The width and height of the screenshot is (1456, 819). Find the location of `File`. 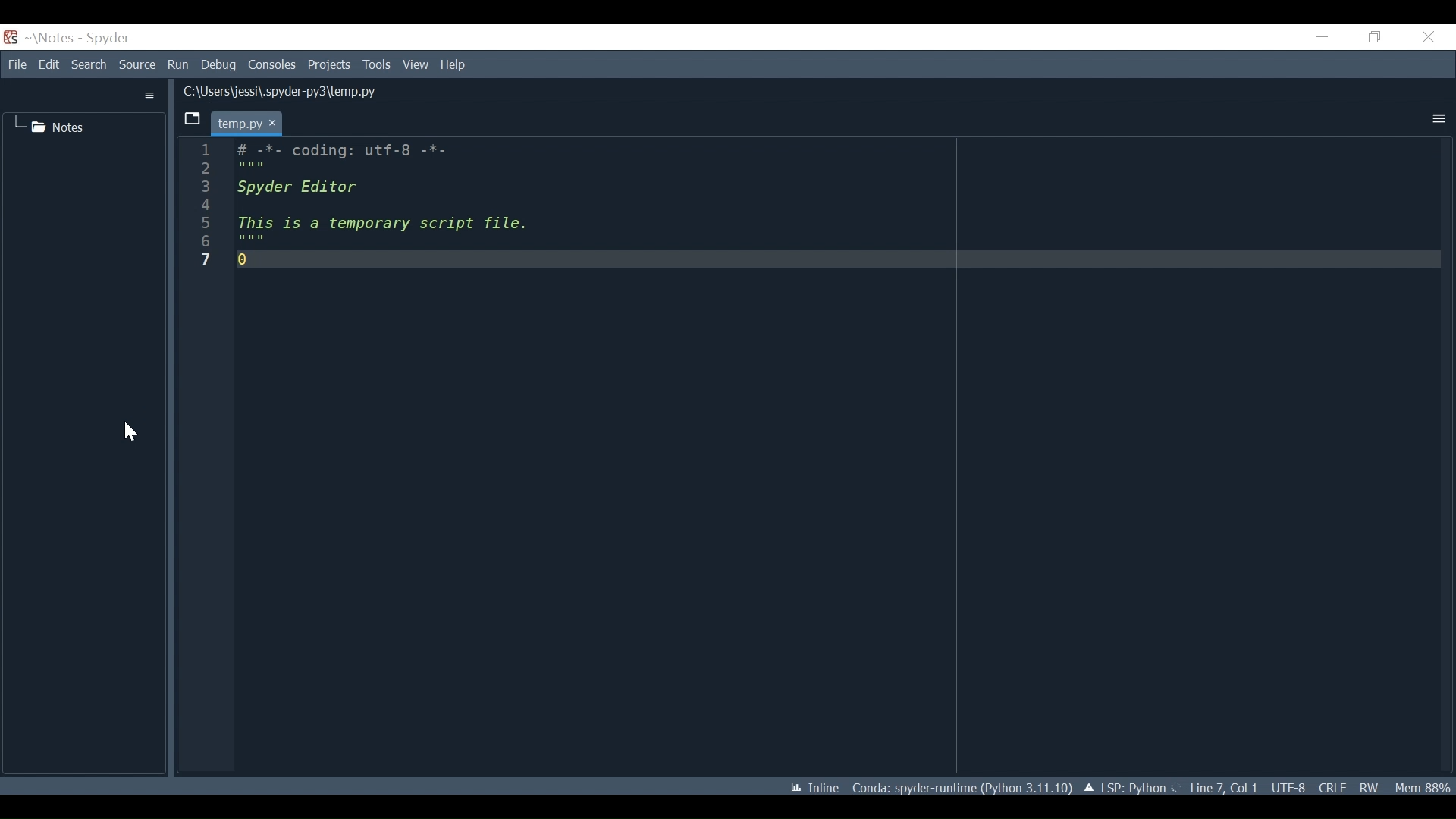

File is located at coordinates (17, 64).